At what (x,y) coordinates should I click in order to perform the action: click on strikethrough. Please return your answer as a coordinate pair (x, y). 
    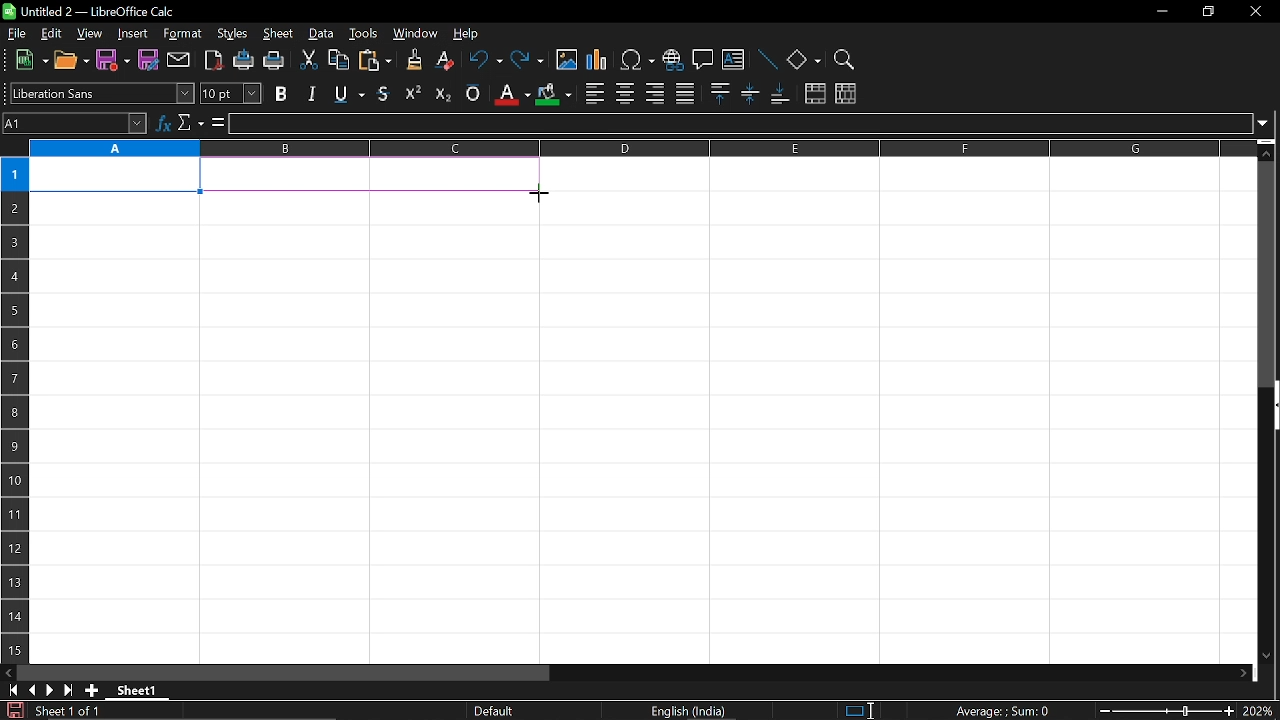
    Looking at the image, I should click on (384, 92).